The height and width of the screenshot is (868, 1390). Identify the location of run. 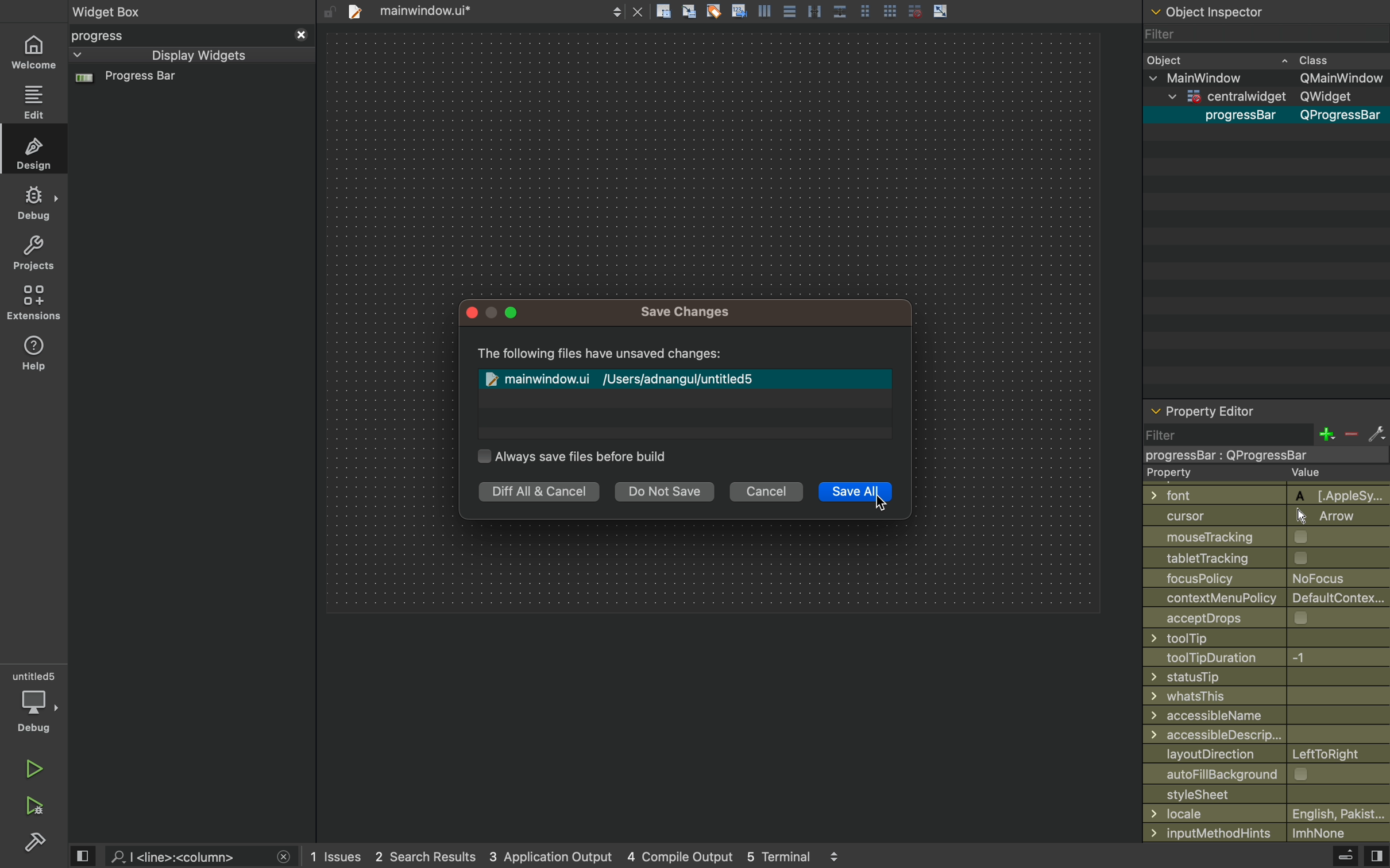
(34, 769).